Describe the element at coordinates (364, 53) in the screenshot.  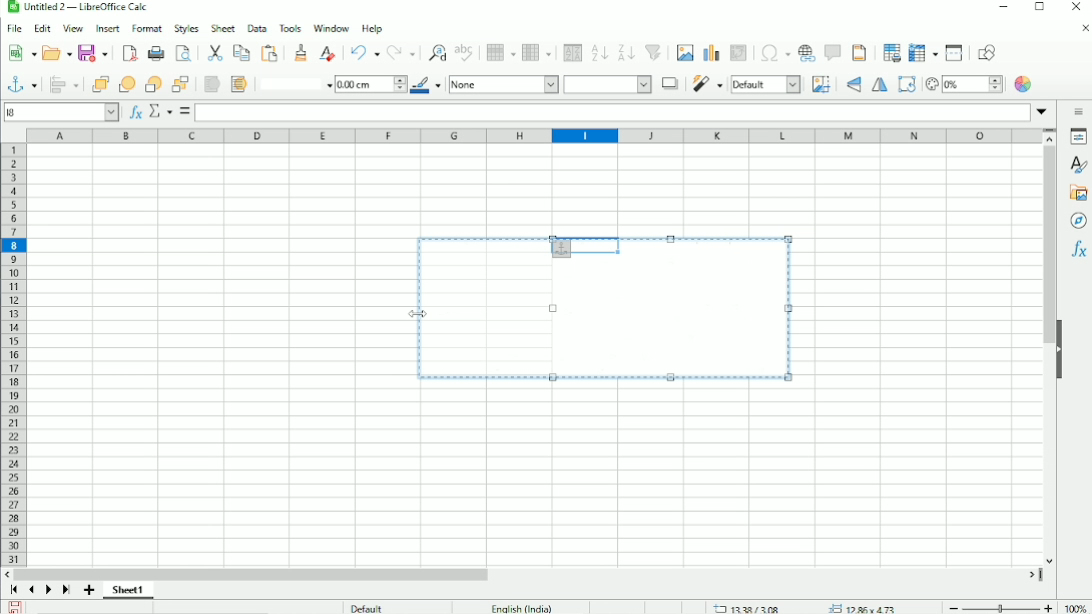
I see `Undo` at that location.